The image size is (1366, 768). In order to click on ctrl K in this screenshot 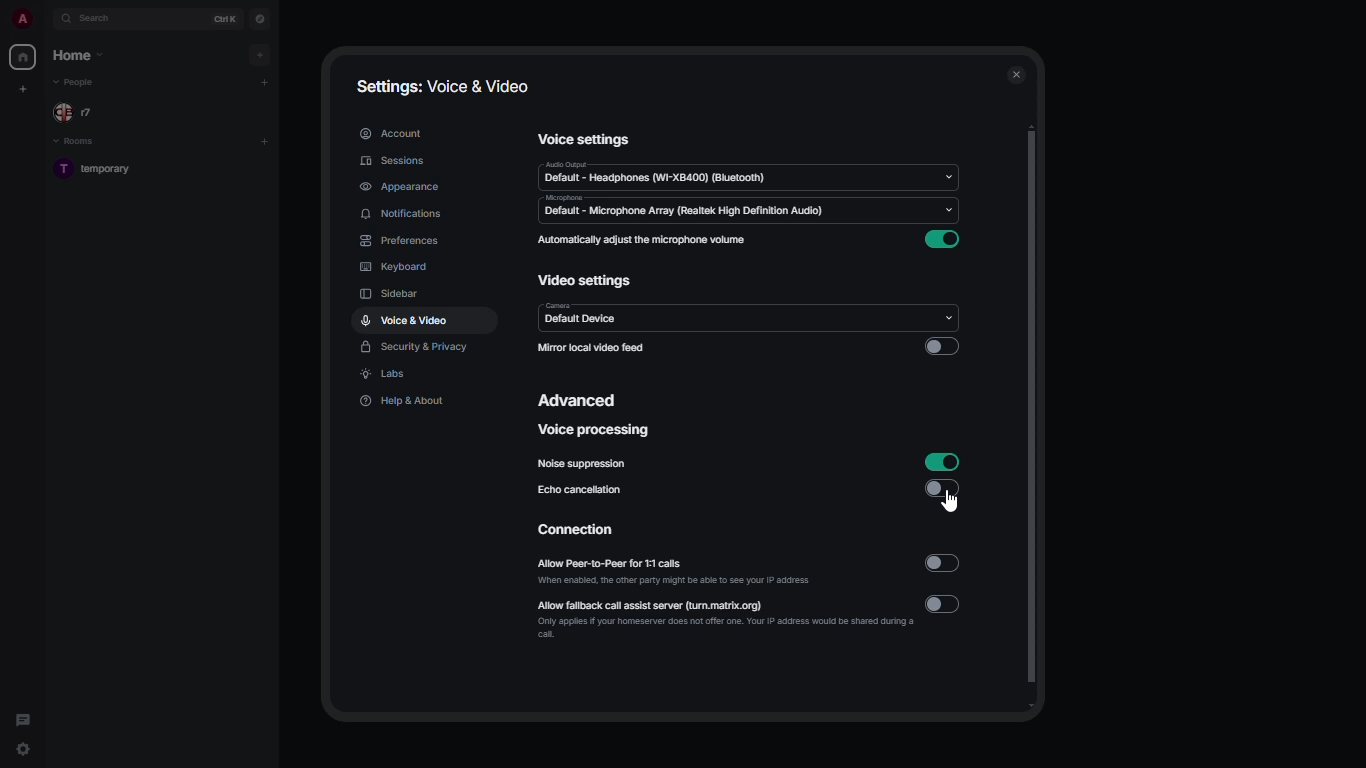, I will do `click(226, 19)`.